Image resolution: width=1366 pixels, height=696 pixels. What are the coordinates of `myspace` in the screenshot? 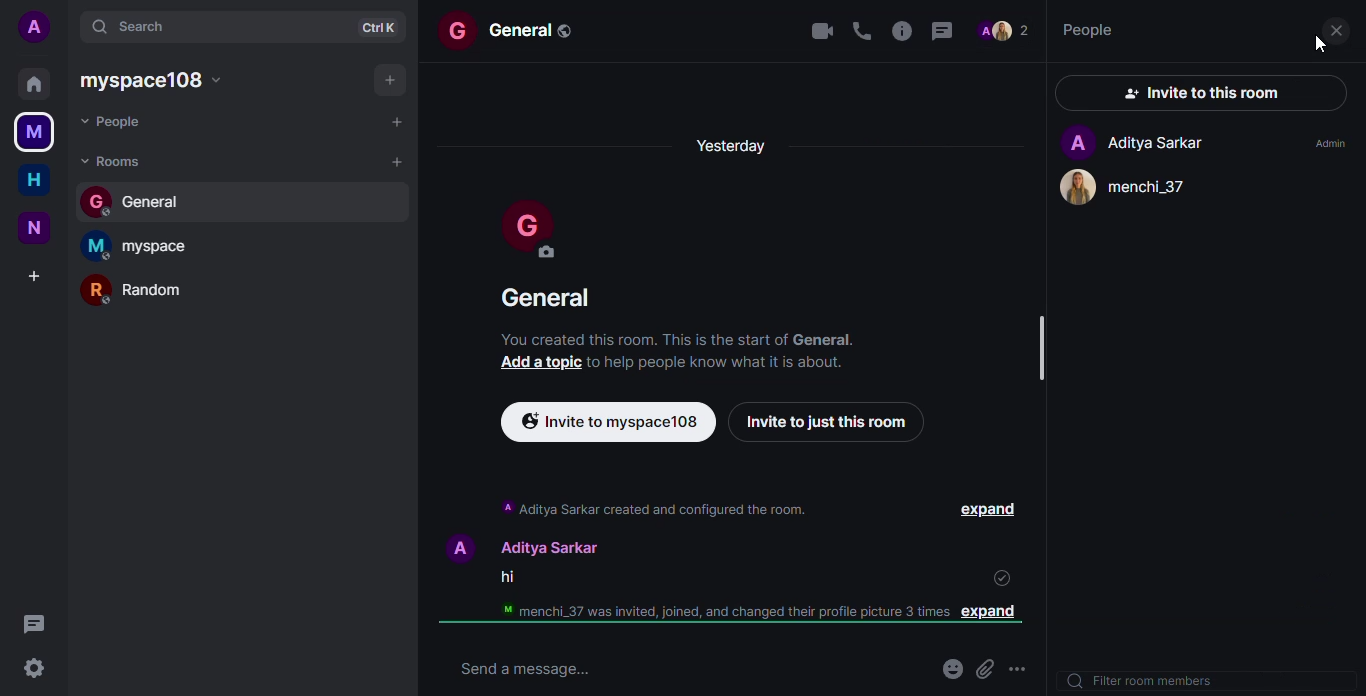 It's located at (144, 243).